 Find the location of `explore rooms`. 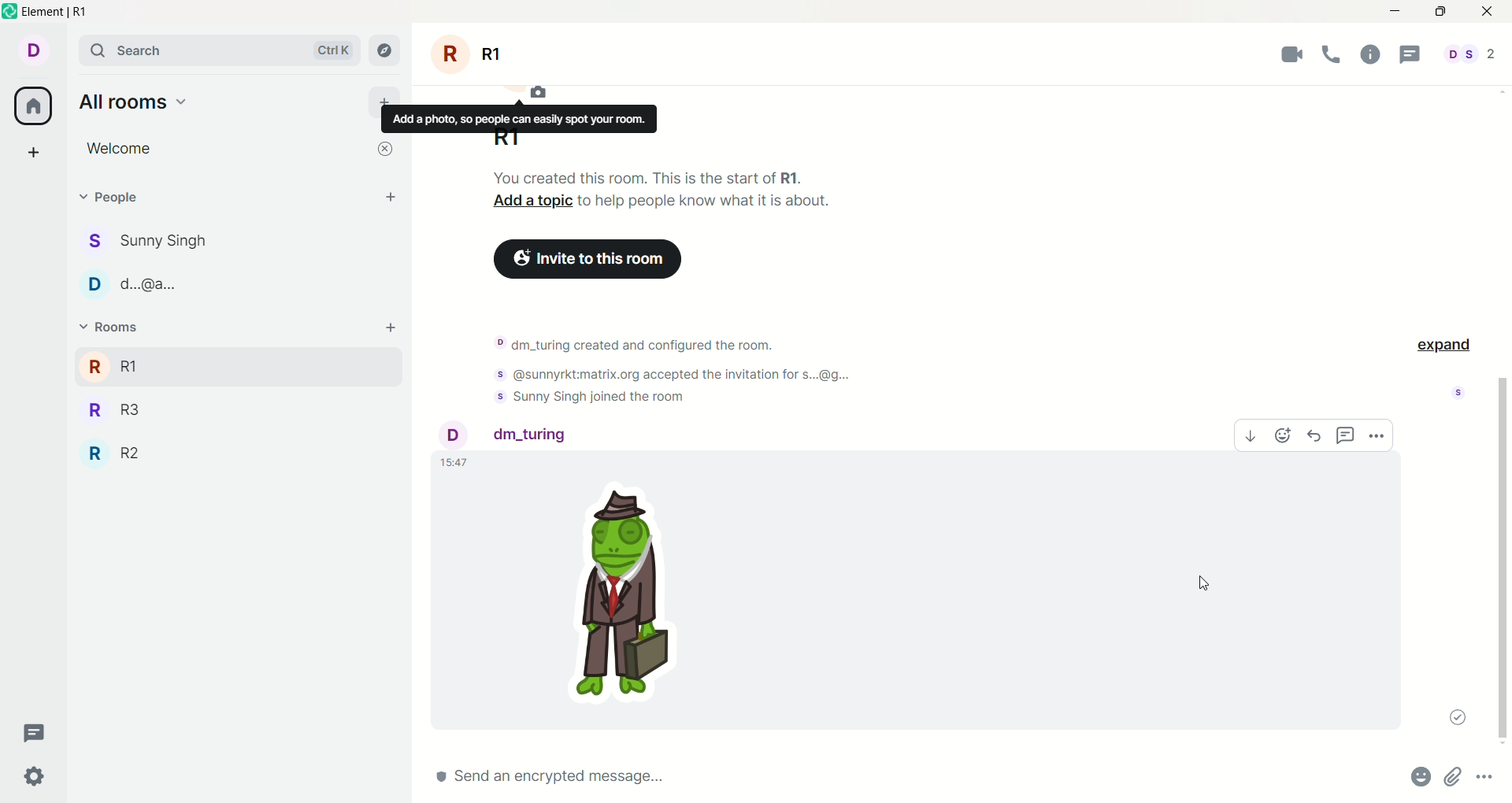

explore rooms is located at coordinates (385, 50).